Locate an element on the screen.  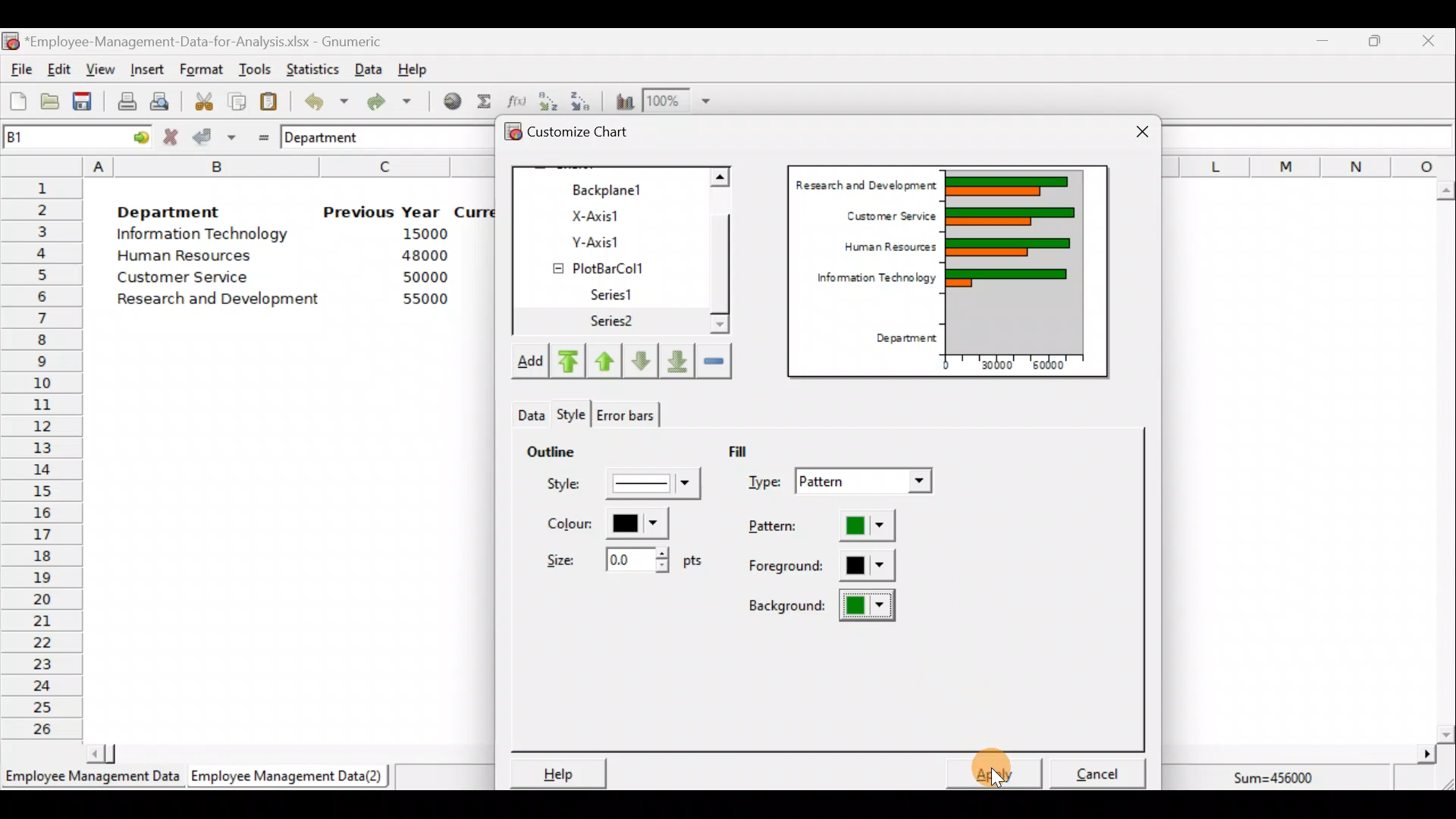
Gnumeric logo is located at coordinates (11, 42).